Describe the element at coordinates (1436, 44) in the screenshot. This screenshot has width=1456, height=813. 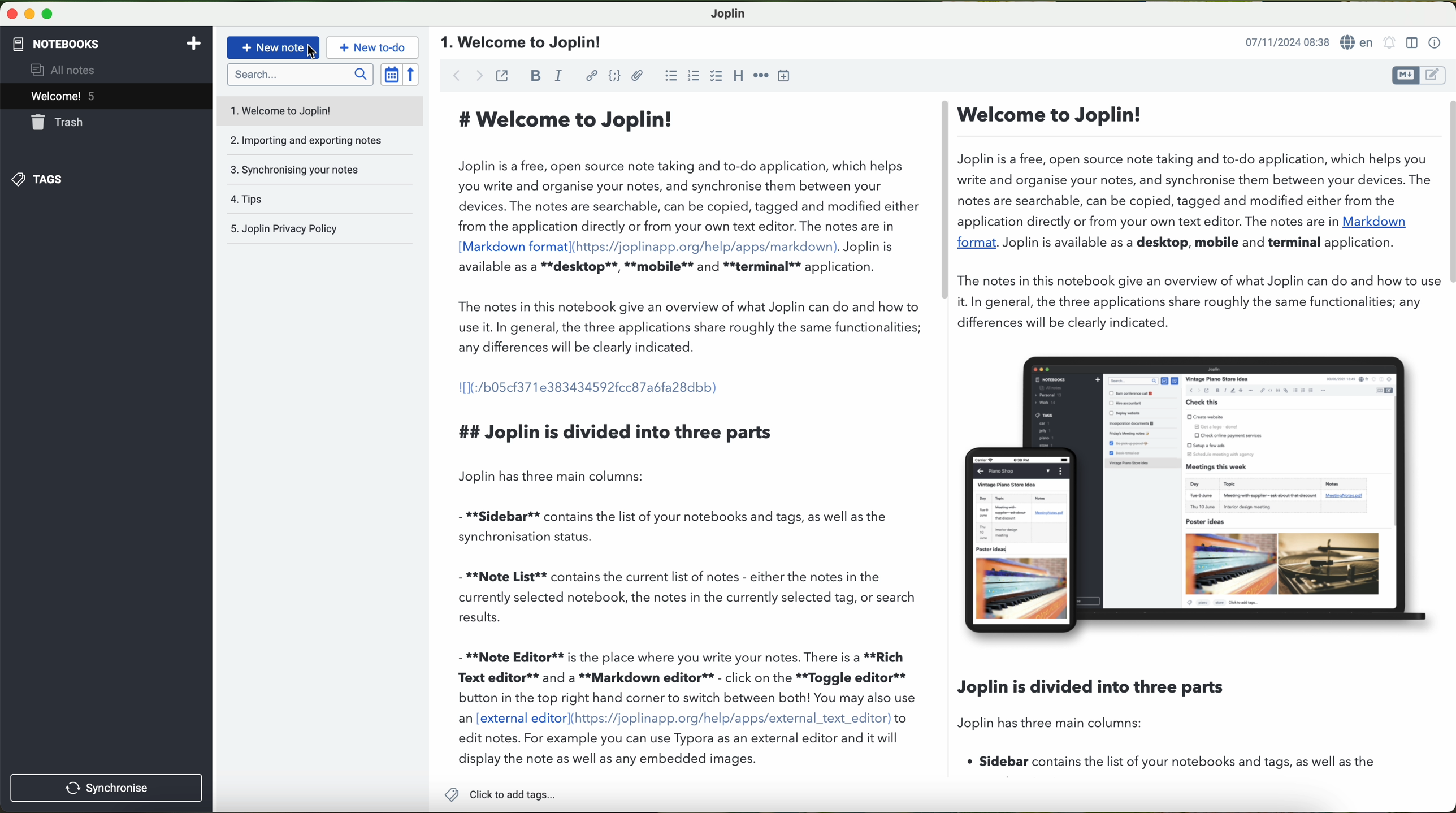
I see `note properties` at that location.